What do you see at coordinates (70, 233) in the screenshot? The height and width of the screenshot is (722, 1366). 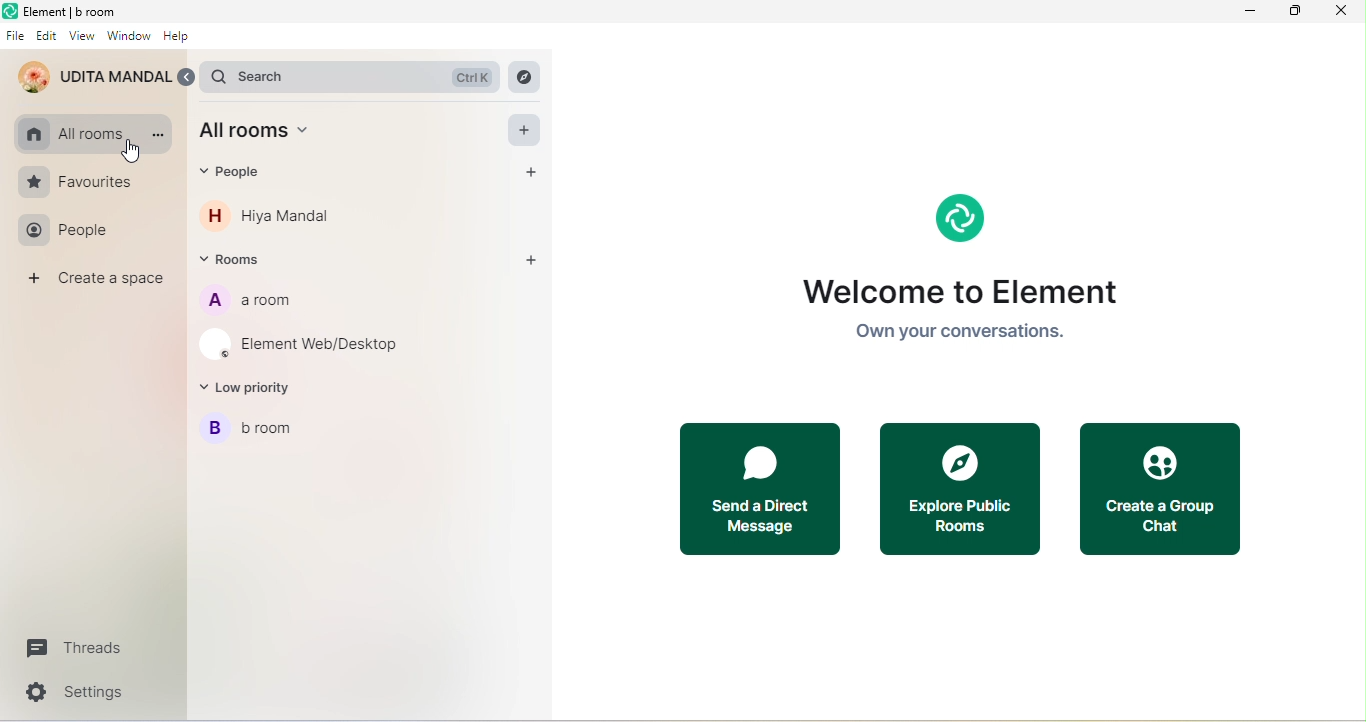 I see `people` at bounding box center [70, 233].